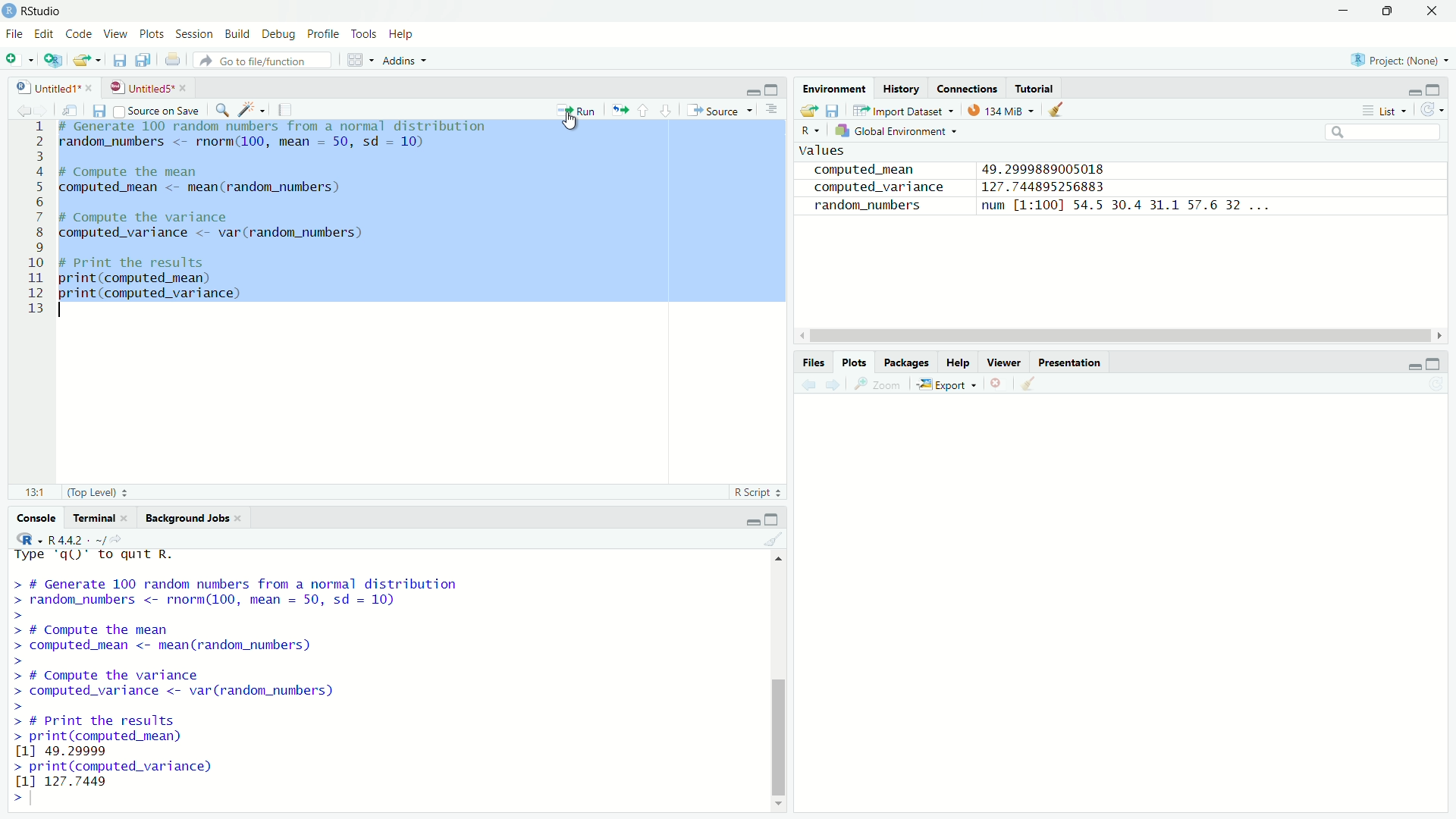 The width and height of the screenshot is (1456, 819). What do you see at coordinates (908, 108) in the screenshot?
I see `import dataset` at bounding box center [908, 108].